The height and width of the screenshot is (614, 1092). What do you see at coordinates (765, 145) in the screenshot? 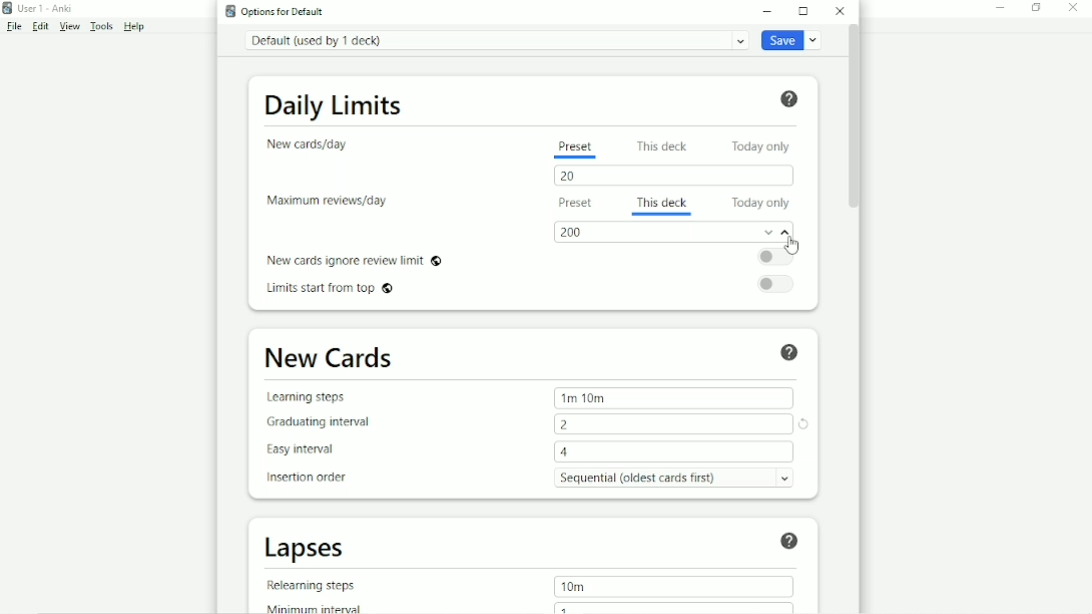
I see `Today only` at bounding box center [765, 145].